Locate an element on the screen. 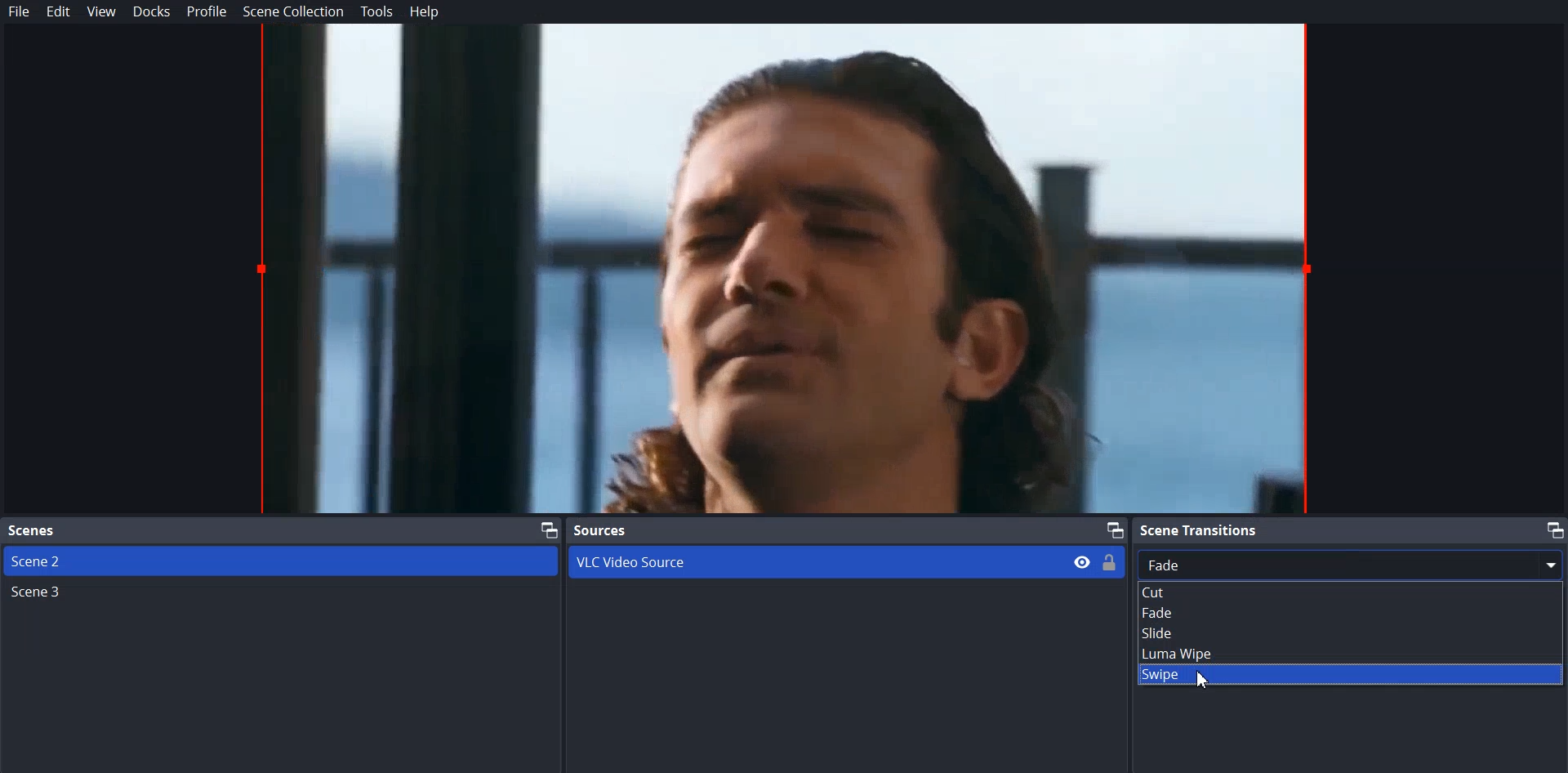  Profile is located at coordinates (206, 12).